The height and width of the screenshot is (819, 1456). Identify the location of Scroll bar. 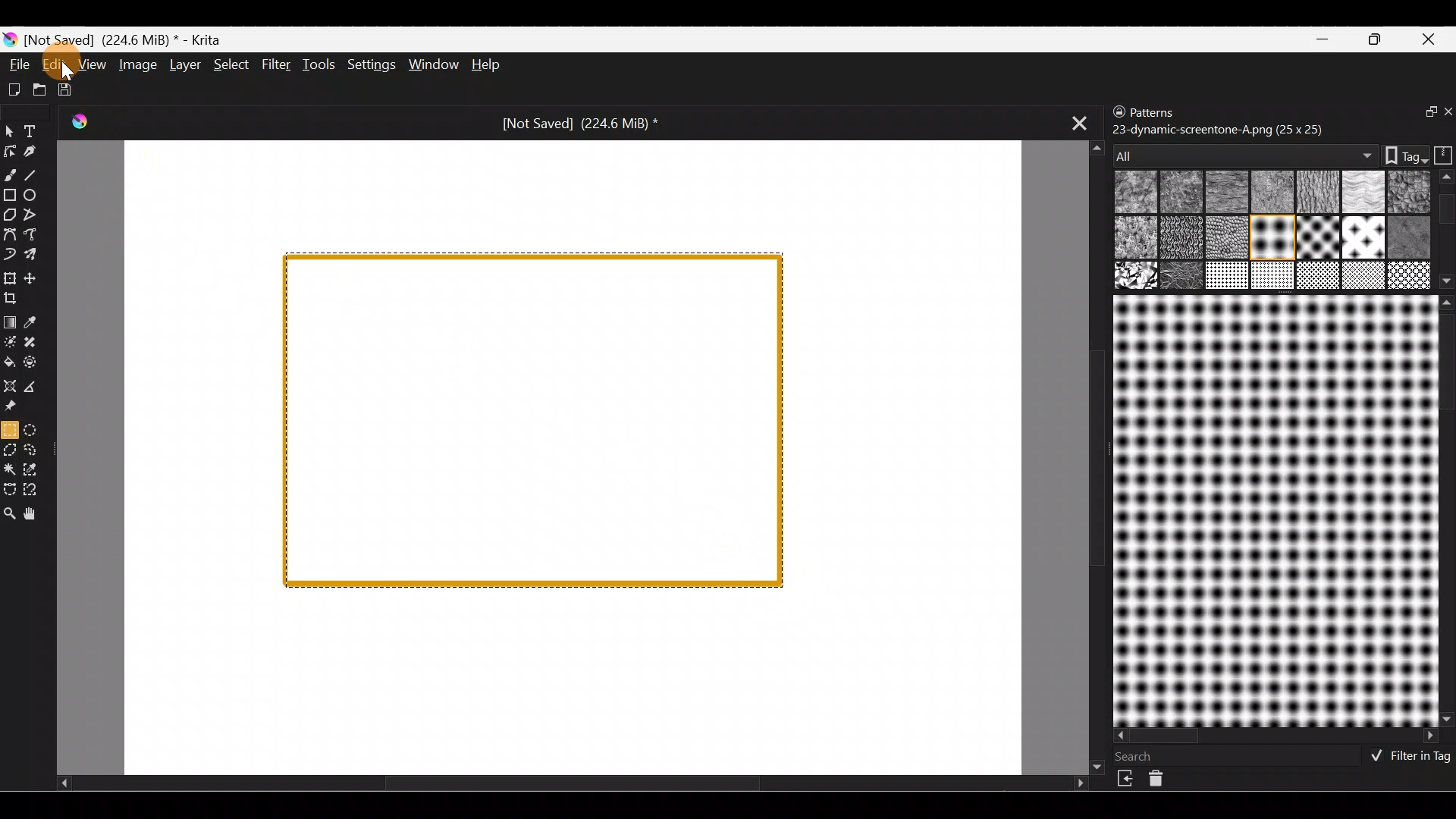
(1277, 736).